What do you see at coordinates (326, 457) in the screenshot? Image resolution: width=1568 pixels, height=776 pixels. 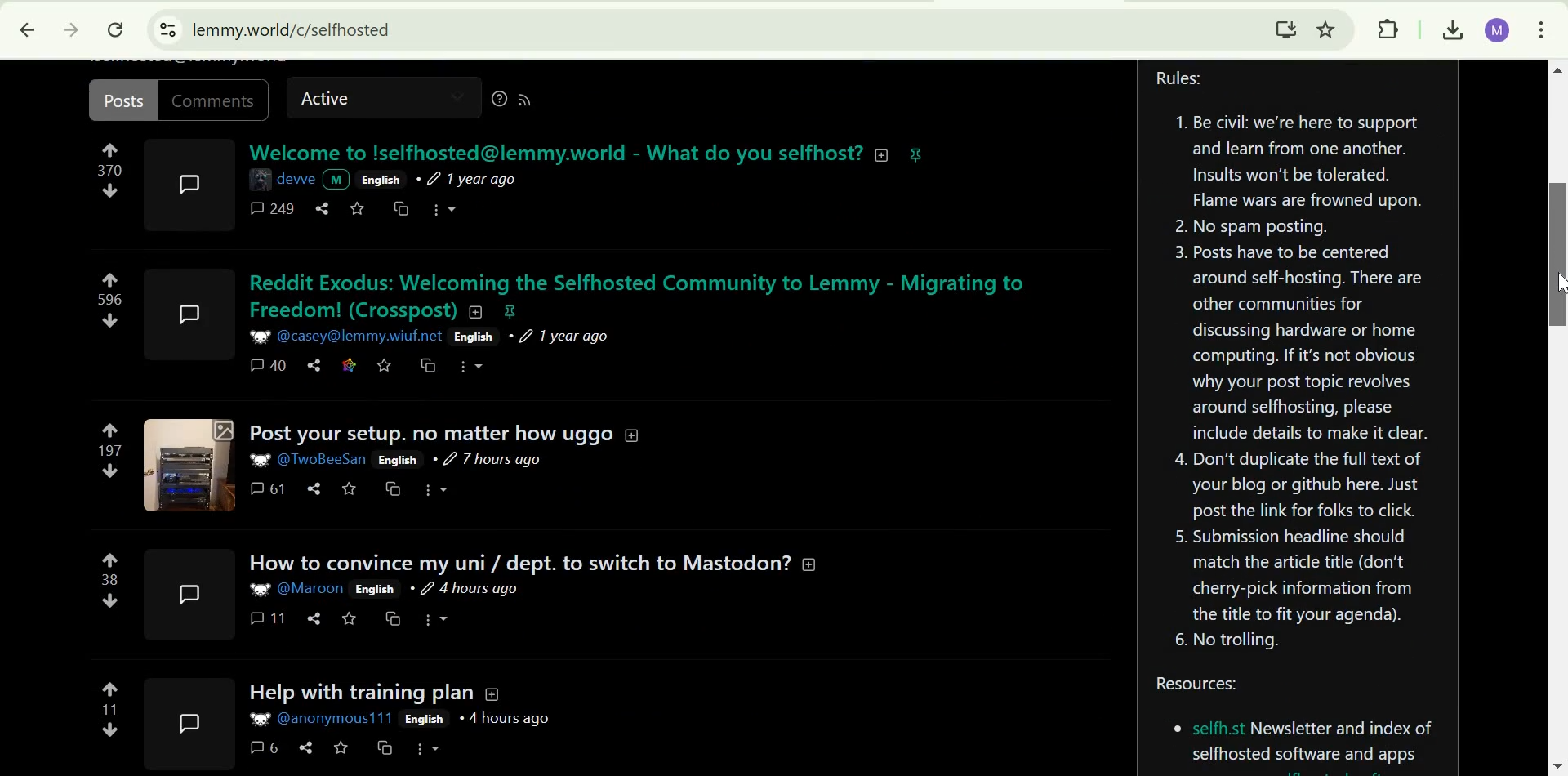 I see `User ID` at bounding box center [326, 457].